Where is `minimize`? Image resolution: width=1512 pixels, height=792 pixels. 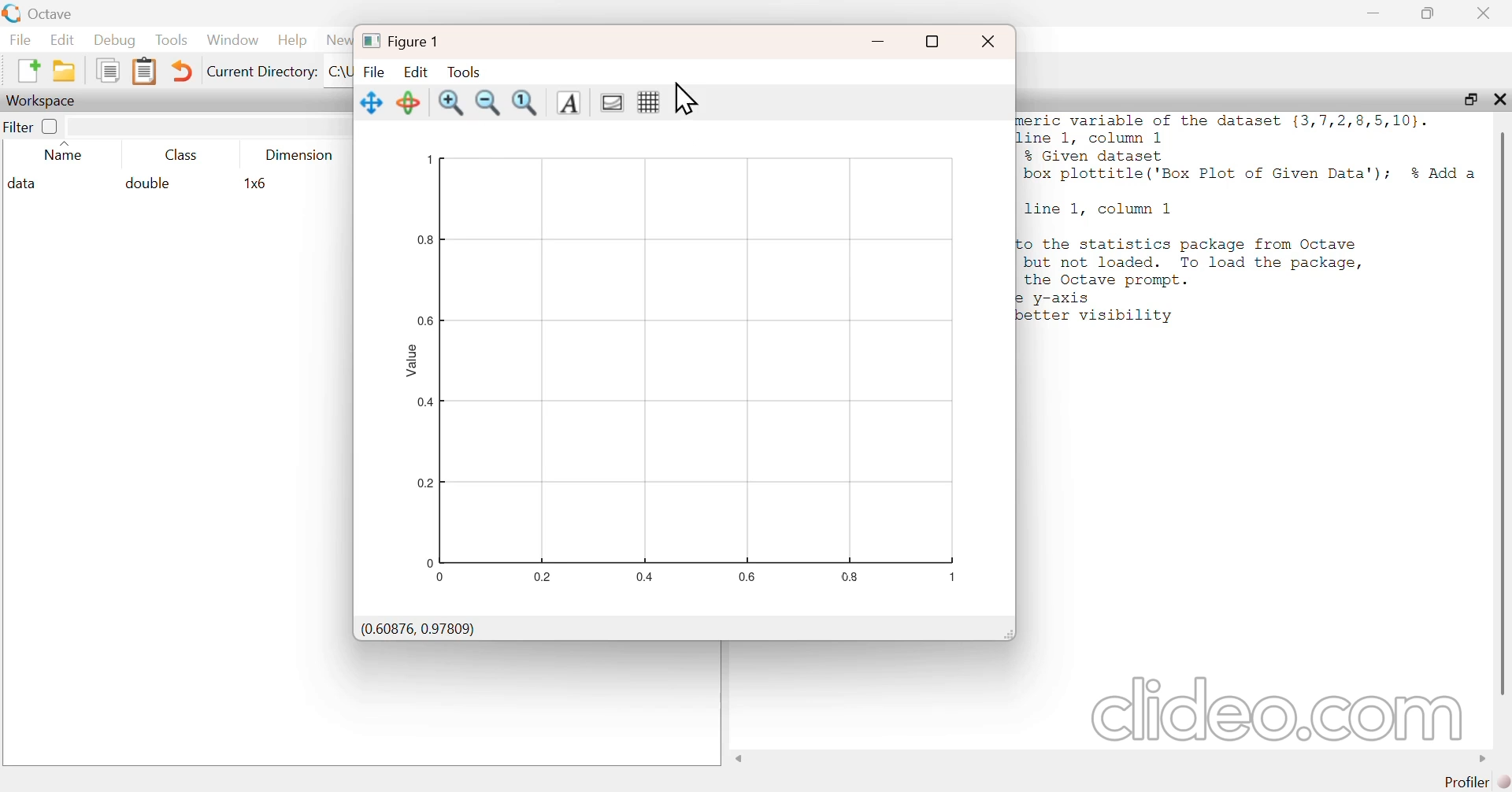
minimize is located at coordinates (880, 35).